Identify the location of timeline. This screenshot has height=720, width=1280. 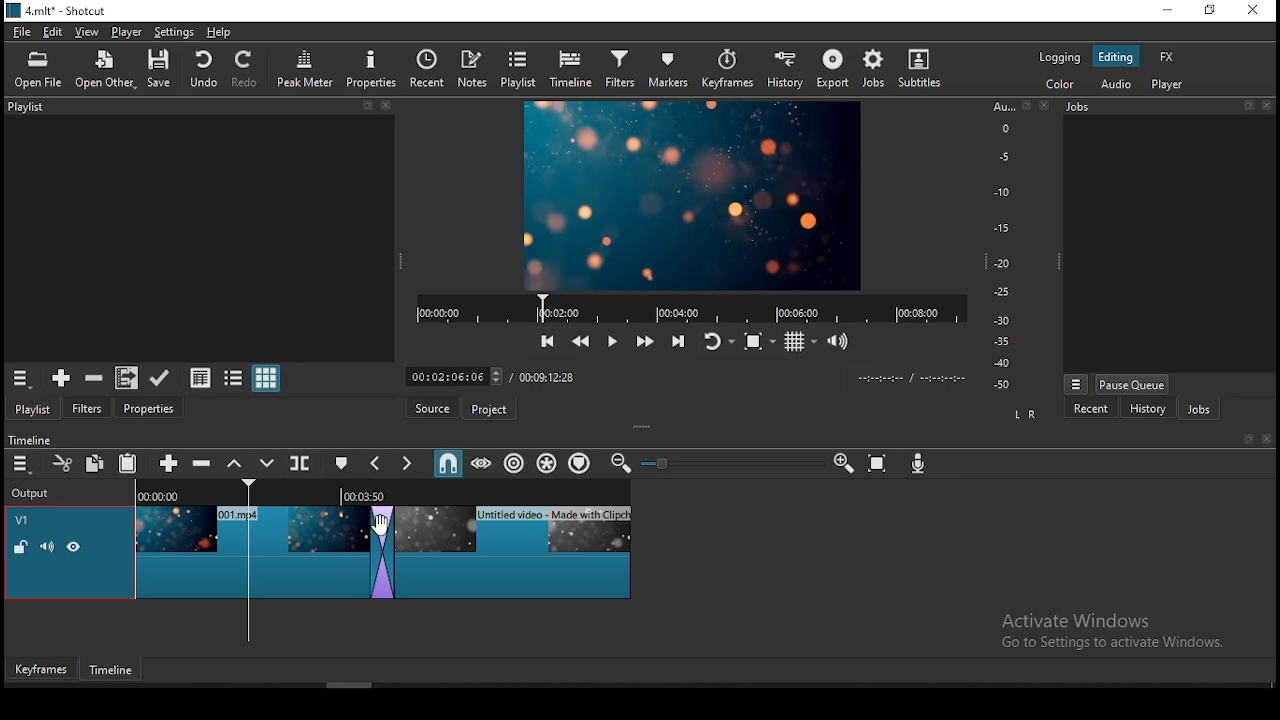
(28, 438).